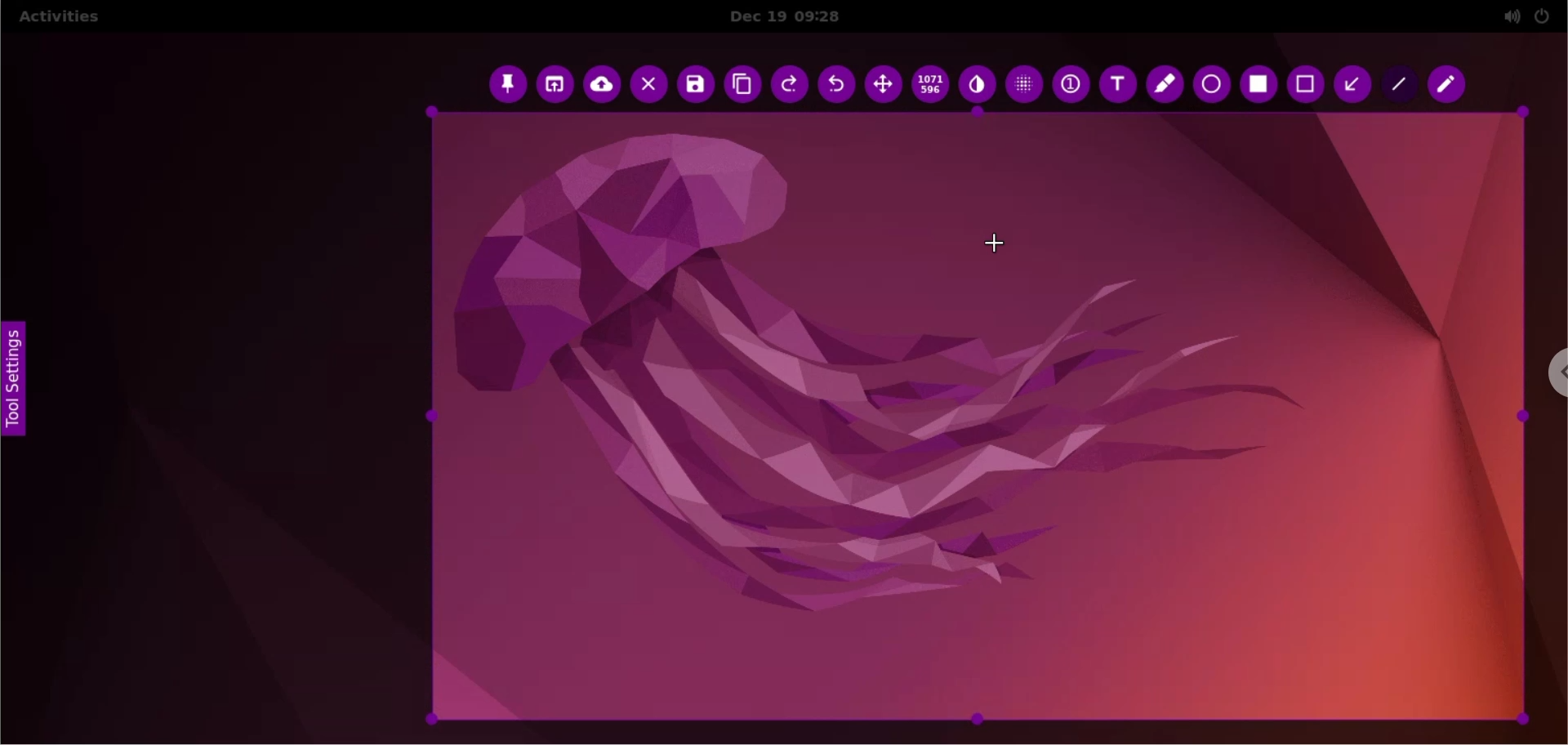 The height and width of the screenshot is (745, 1568). Describe the element at coordinates (1397, 85) in the screenshot. I see `line` at that location.